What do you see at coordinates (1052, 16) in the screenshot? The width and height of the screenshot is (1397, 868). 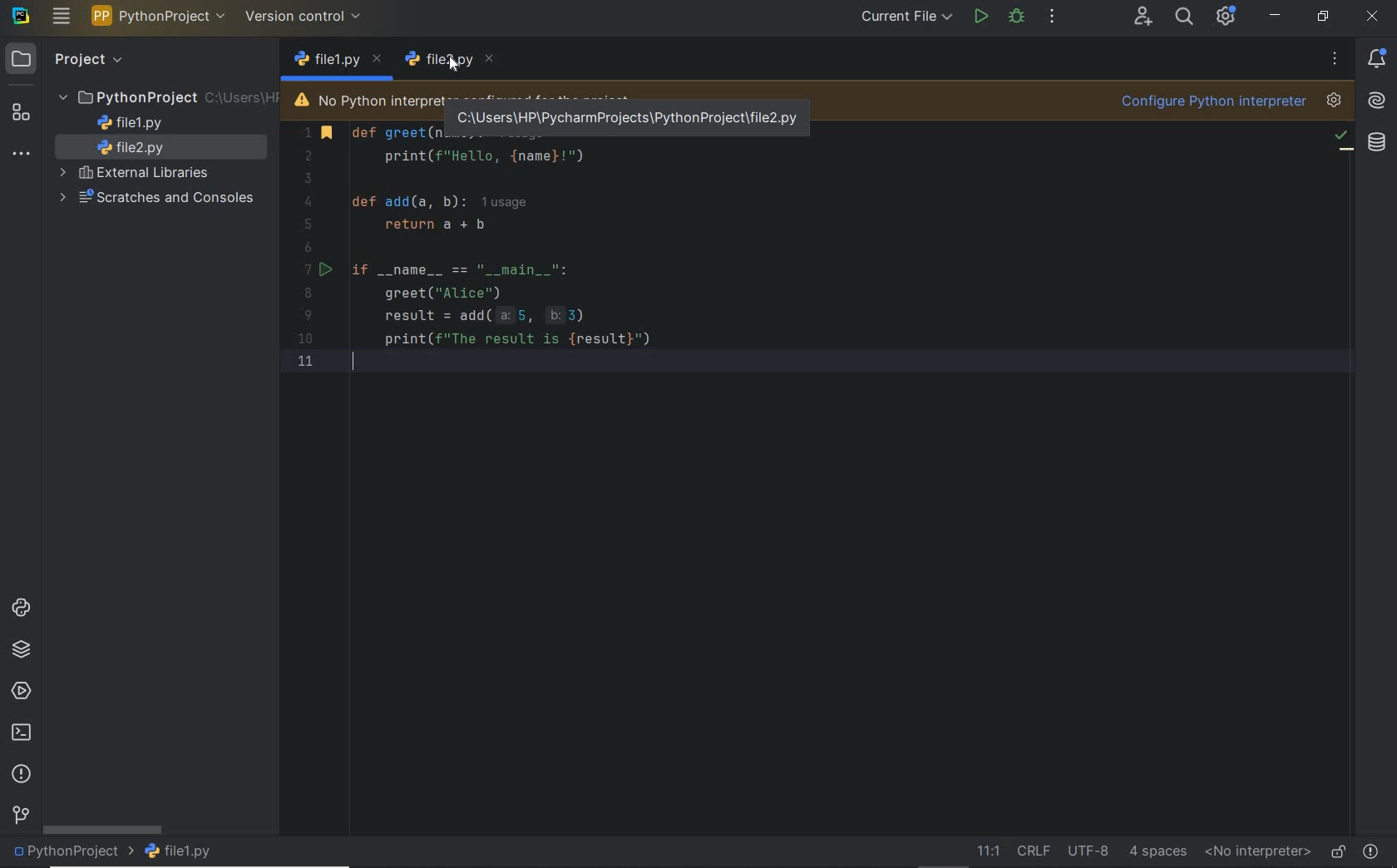 I see `more actions` at bounding box center [1052, 16].